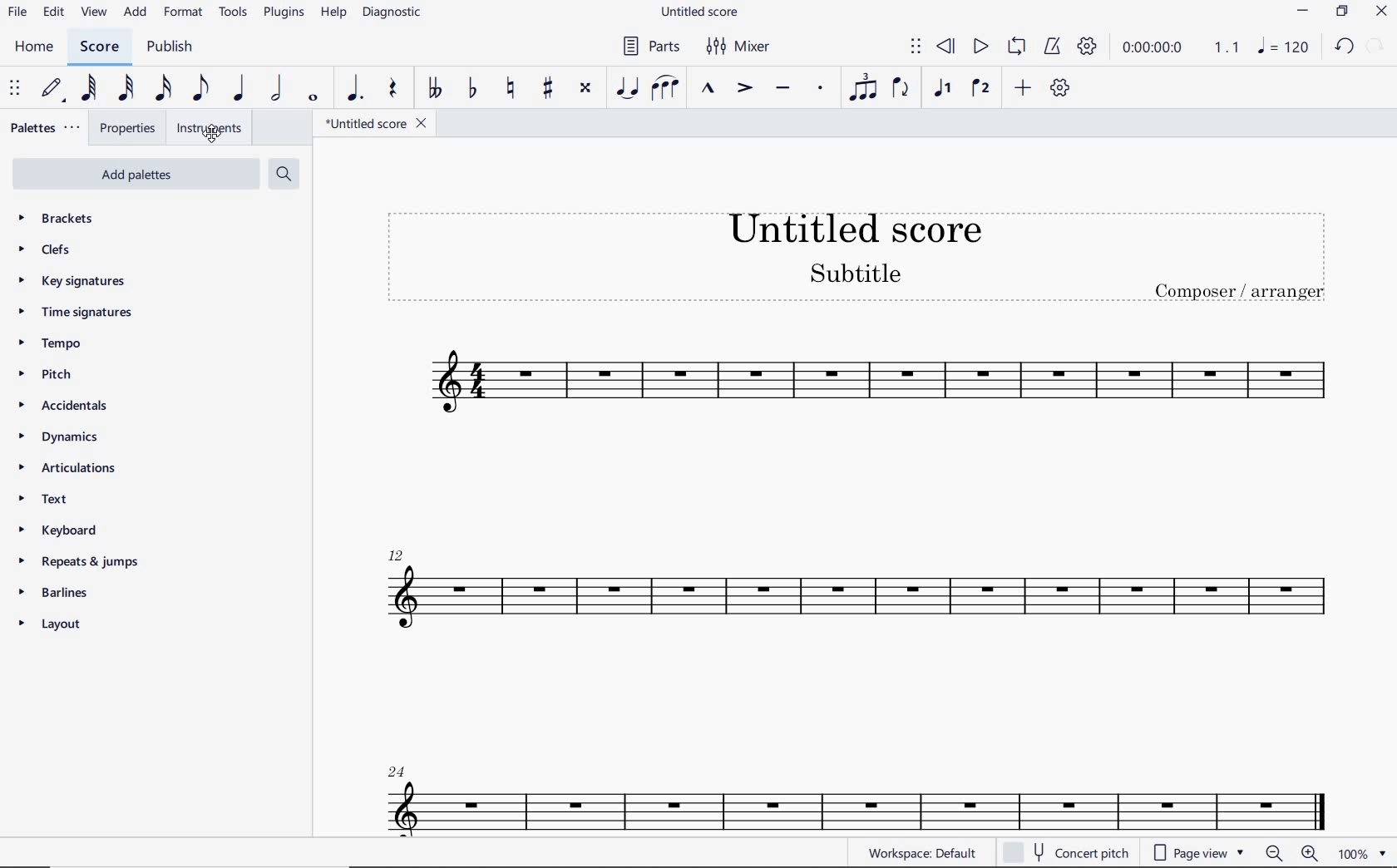 This screenshot has height=868, width=1397. What do you see at coordinates (18, 16) in the screenshot?
I see `file` at bounding box center [18, 16].